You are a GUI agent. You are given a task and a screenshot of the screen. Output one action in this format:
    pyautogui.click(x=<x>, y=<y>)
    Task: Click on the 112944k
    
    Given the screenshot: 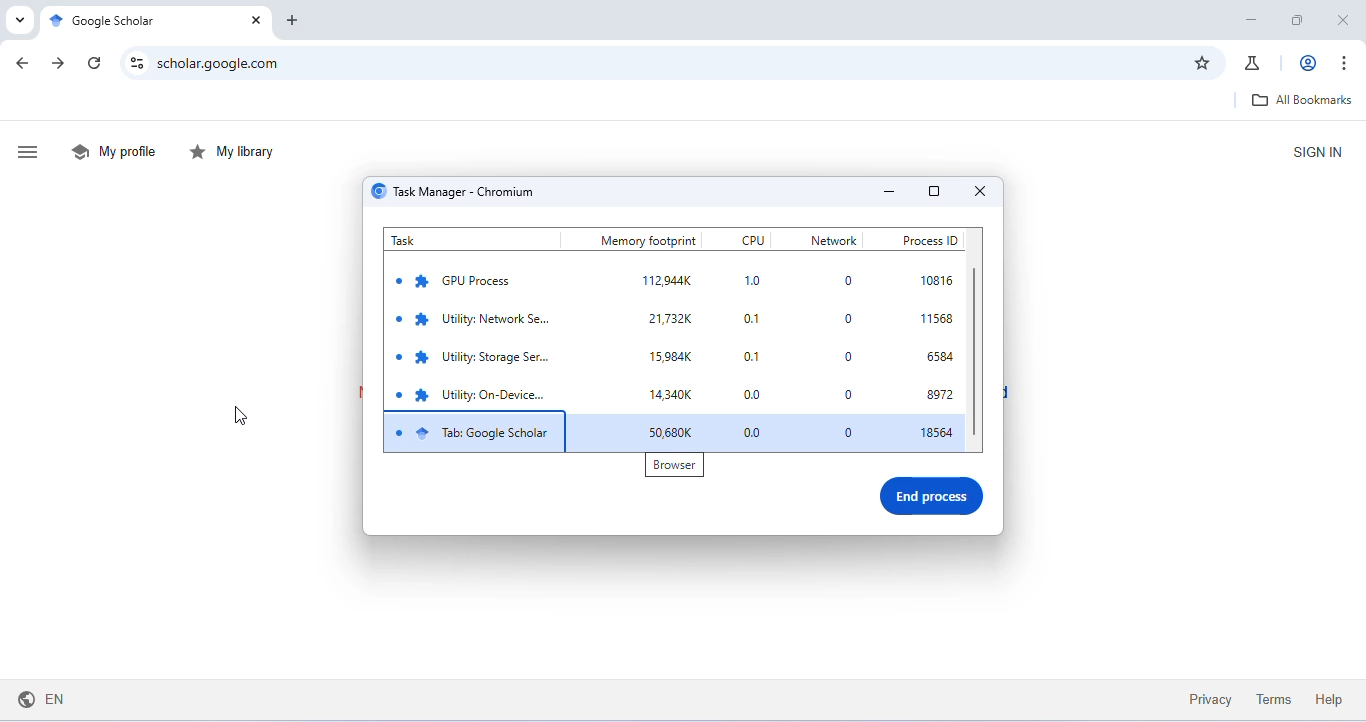 What is the action you would take?
    pyautogui.click(x=667, y=282)
    